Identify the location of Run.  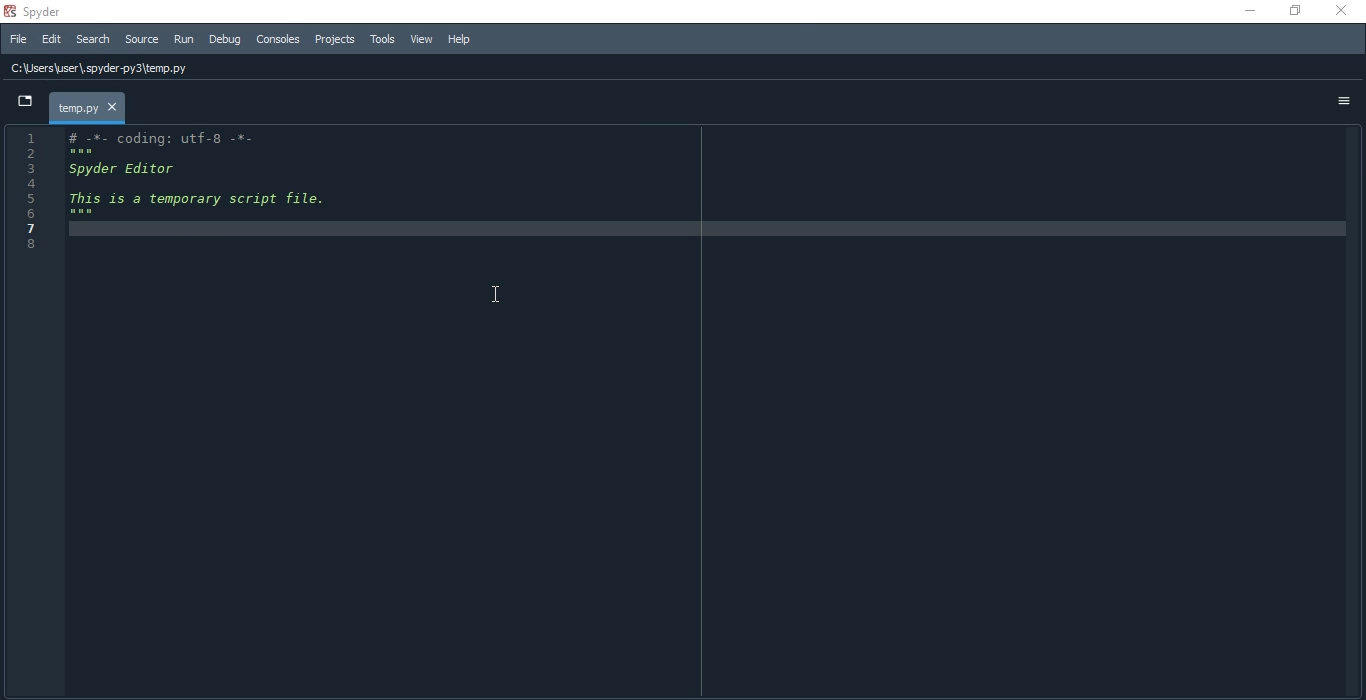
(182, 40).